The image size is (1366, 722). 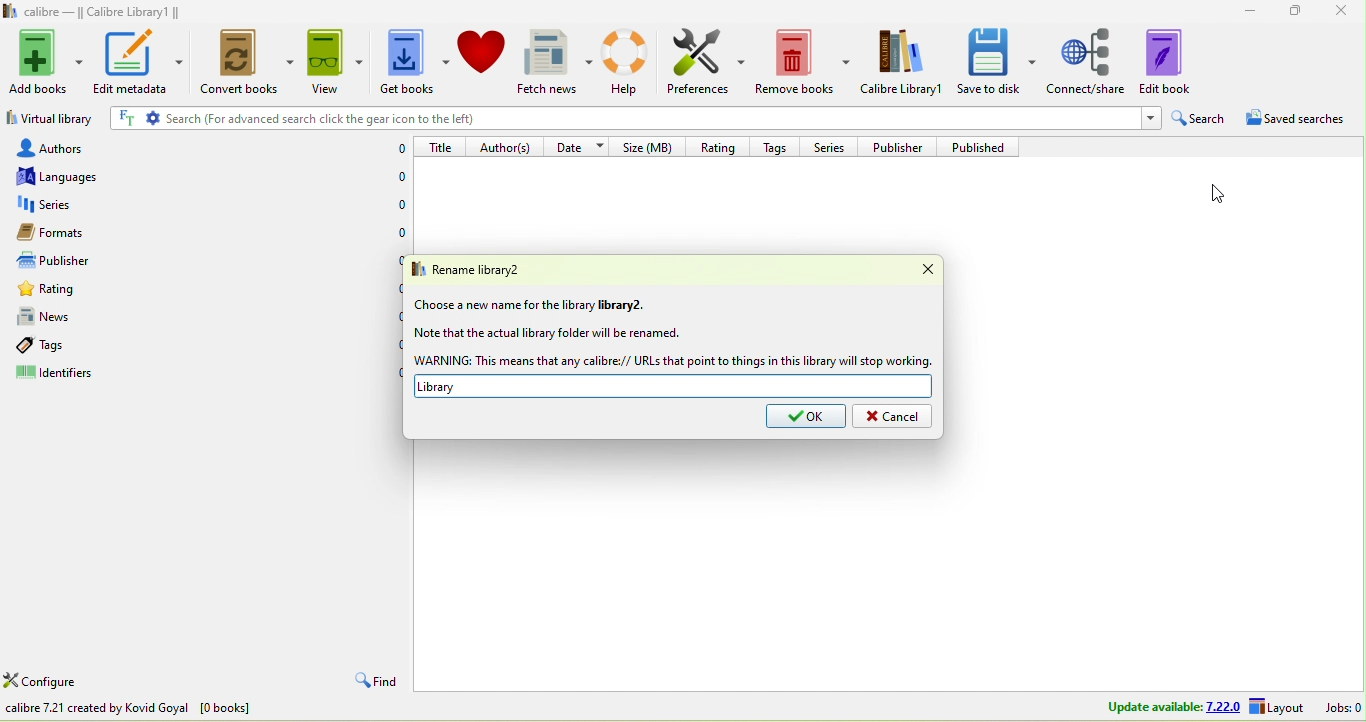 What do you see at coordinates (68, 345) in the screenshot?
I see `tags` at bounding box center [68, 345].